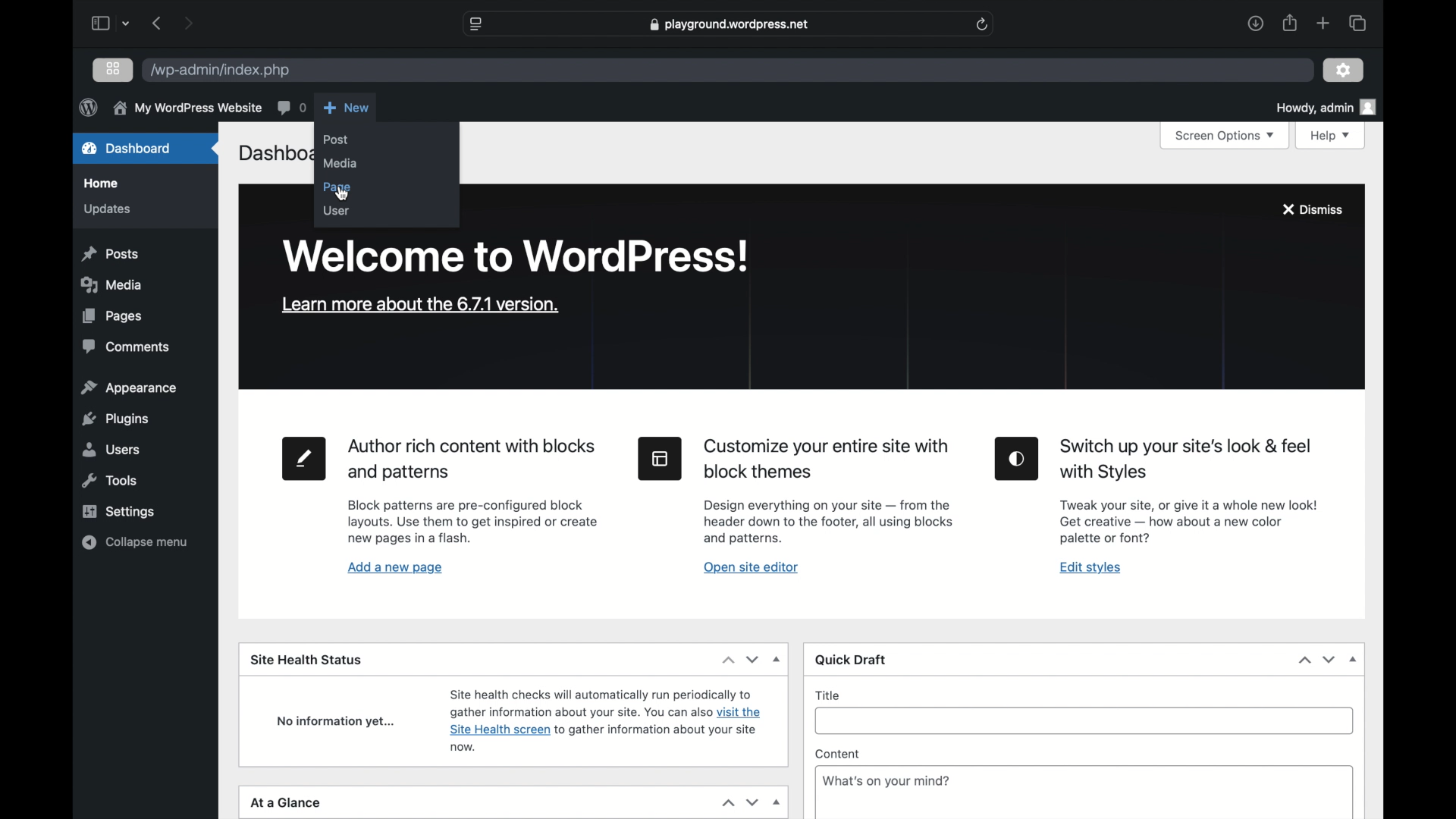 Image resolution: width=1456 pixels, height=819 pixels. What do you see at coordinates (777, 803) in the screenshot?
I see `dropdown` at bounding box center [777, 803].